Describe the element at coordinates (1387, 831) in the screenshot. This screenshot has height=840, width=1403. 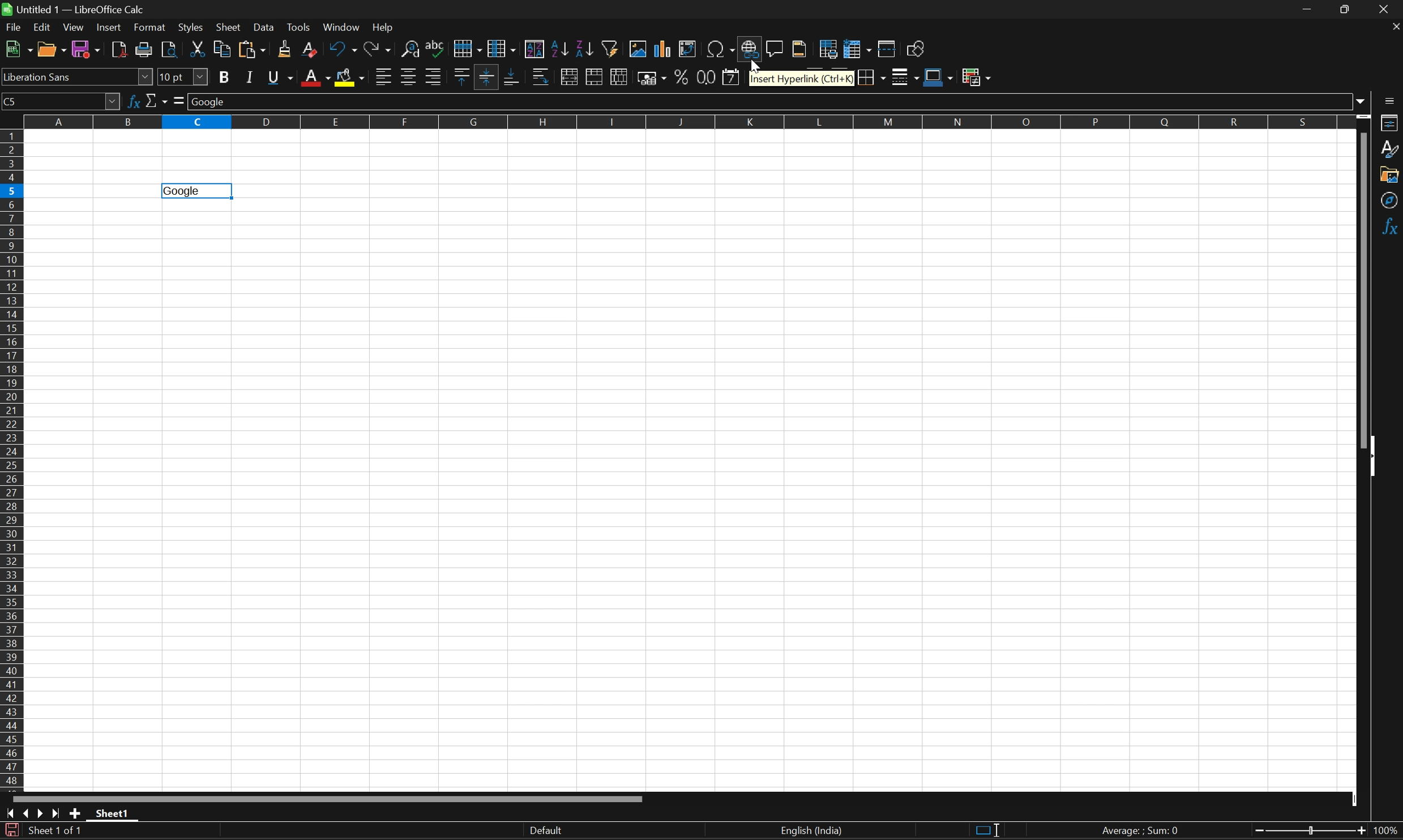
I see `100%` at that location.